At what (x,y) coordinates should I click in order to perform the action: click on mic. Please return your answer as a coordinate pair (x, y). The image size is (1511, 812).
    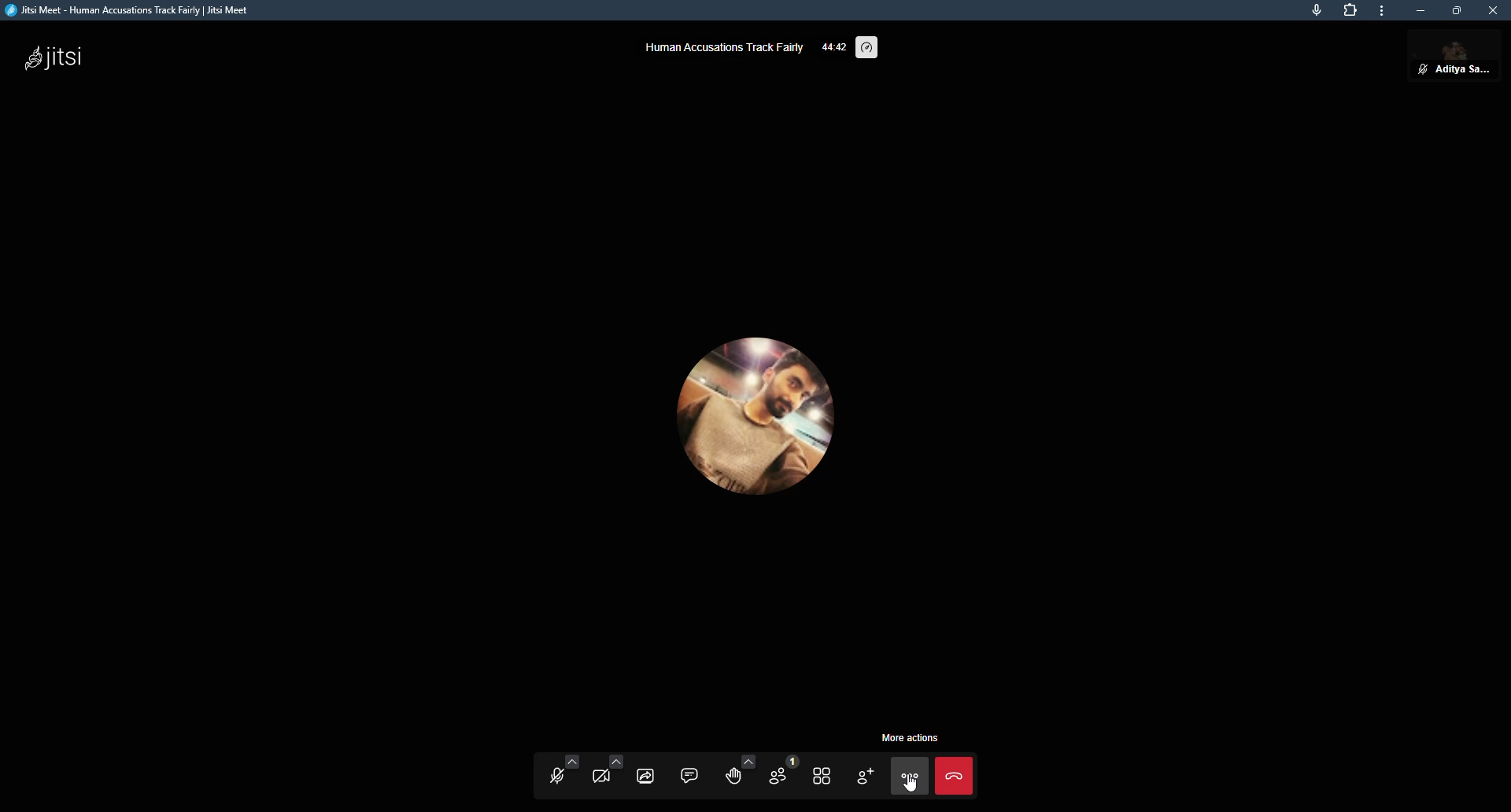
    Looking at the image, I should click on (1316, 8).